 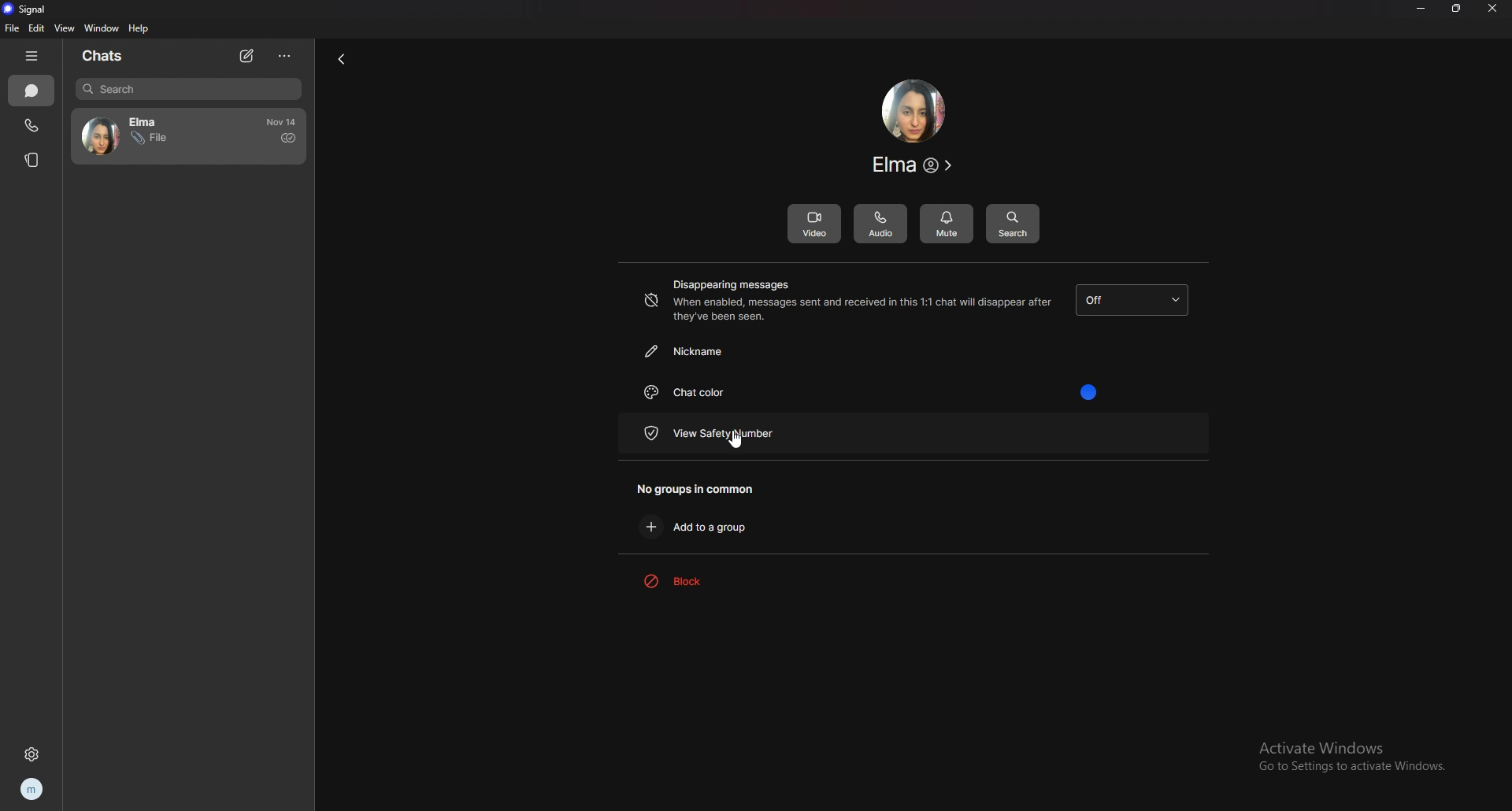 What do you see at coordinates (146, 136) in the screenshot?
I see `chat` at bounding box center [146, 136].